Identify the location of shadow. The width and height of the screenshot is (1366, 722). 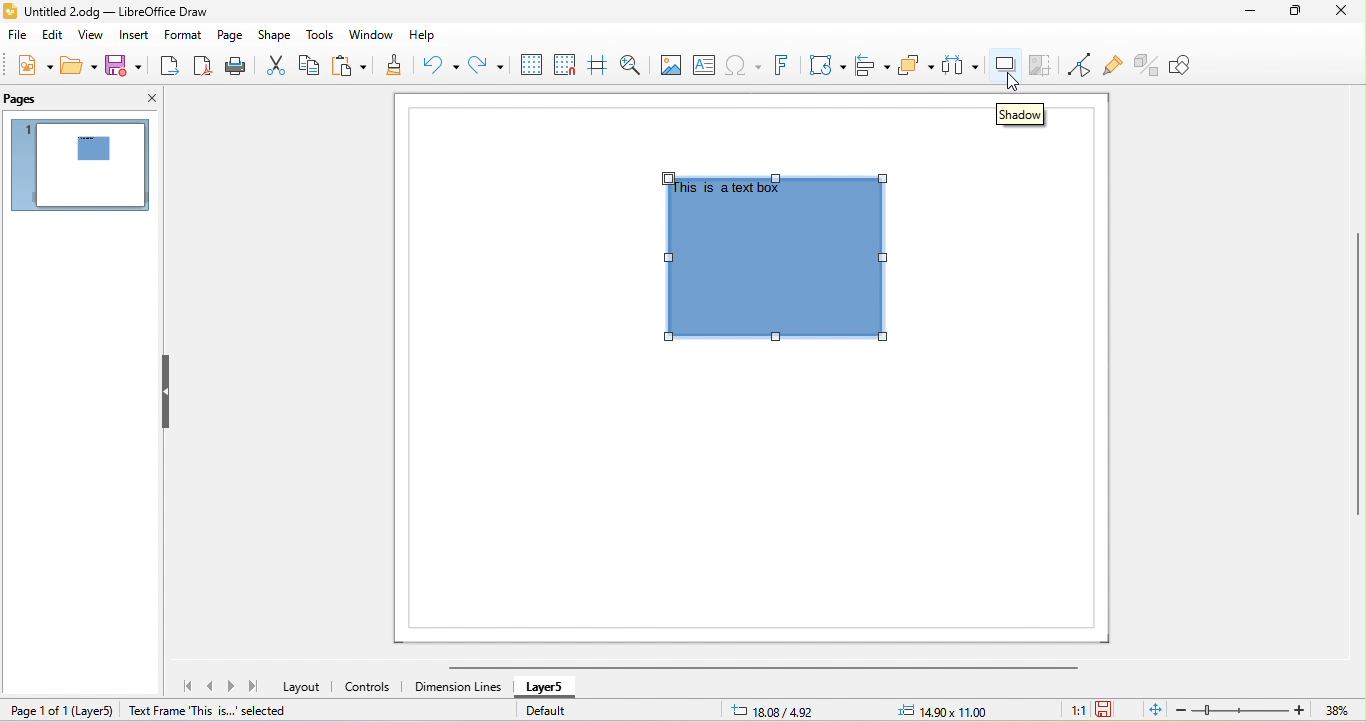
(1008, 63).